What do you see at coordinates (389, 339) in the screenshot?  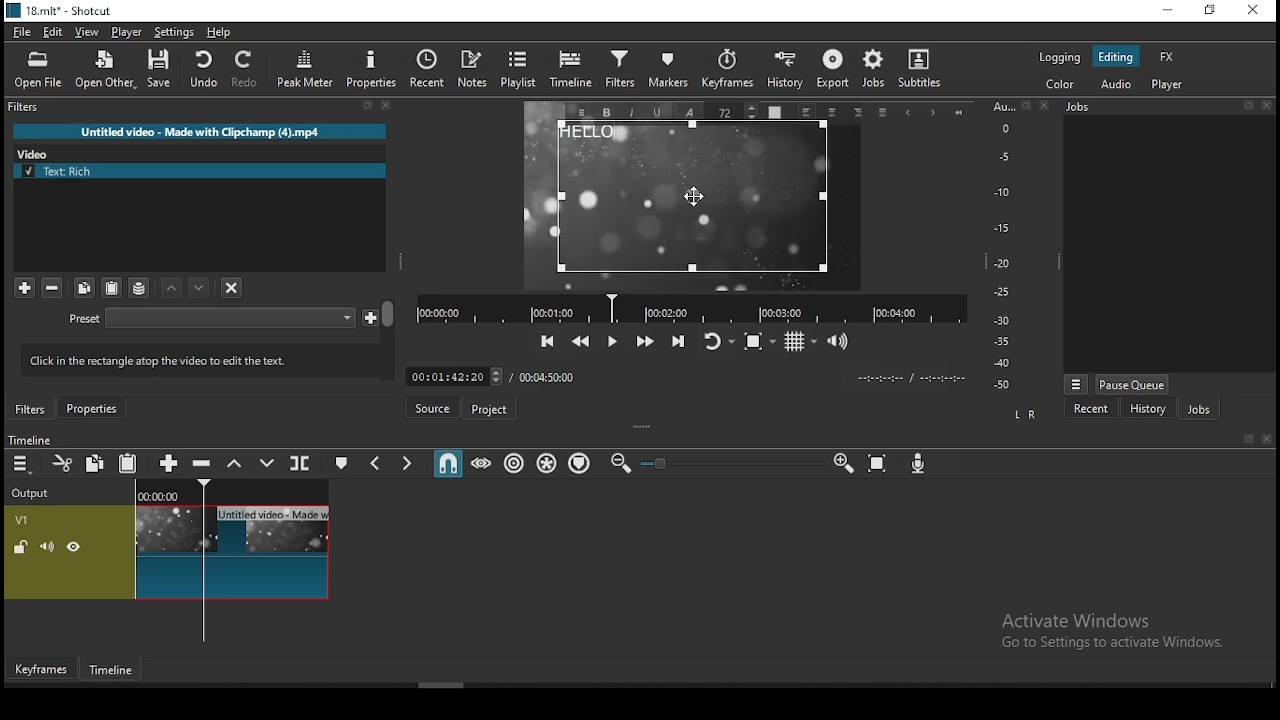 I see `Scroll Bar` at bounding box center [389, 339].